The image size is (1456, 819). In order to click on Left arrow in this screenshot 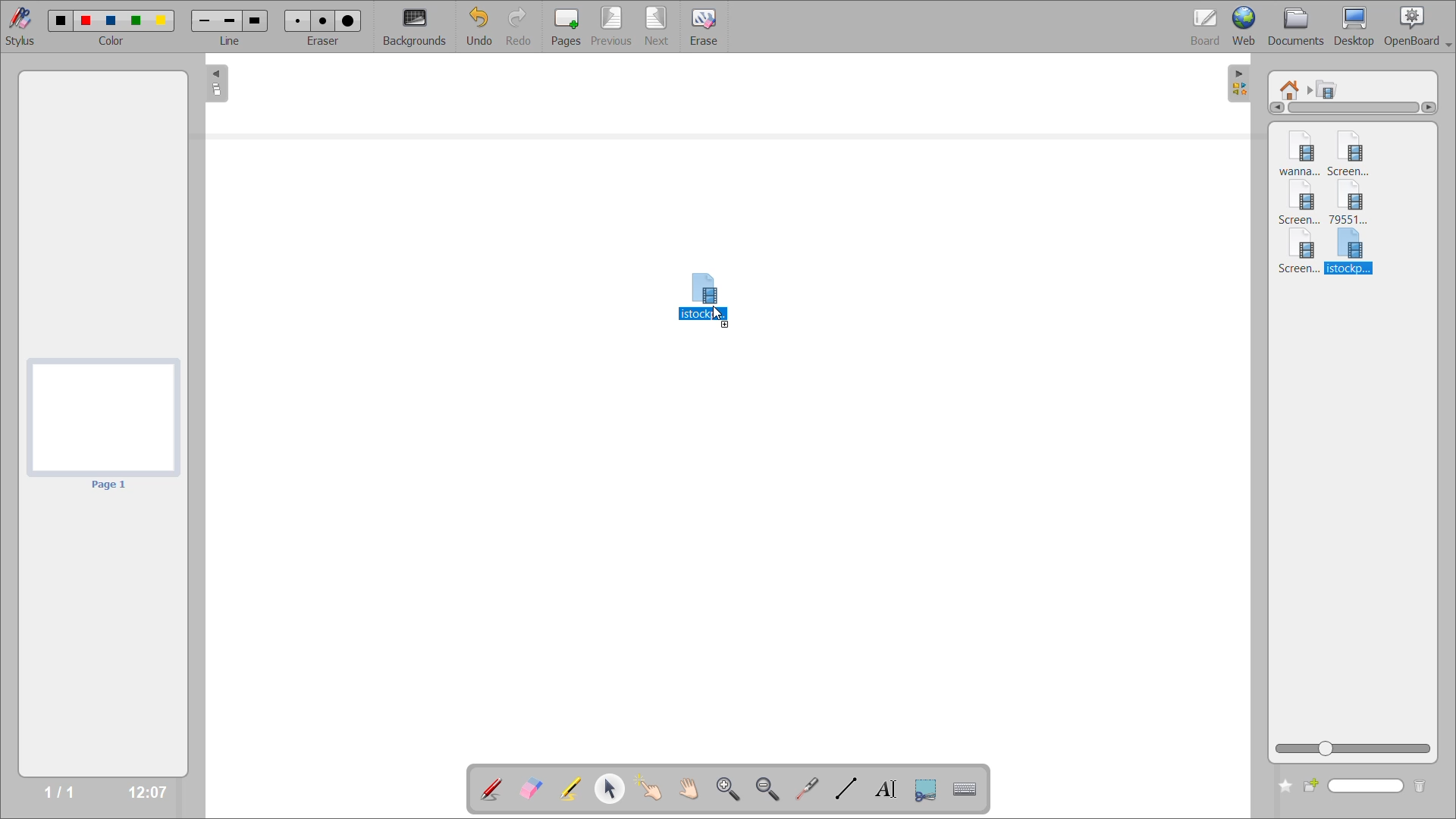, I will do `click(1273, 108)`.